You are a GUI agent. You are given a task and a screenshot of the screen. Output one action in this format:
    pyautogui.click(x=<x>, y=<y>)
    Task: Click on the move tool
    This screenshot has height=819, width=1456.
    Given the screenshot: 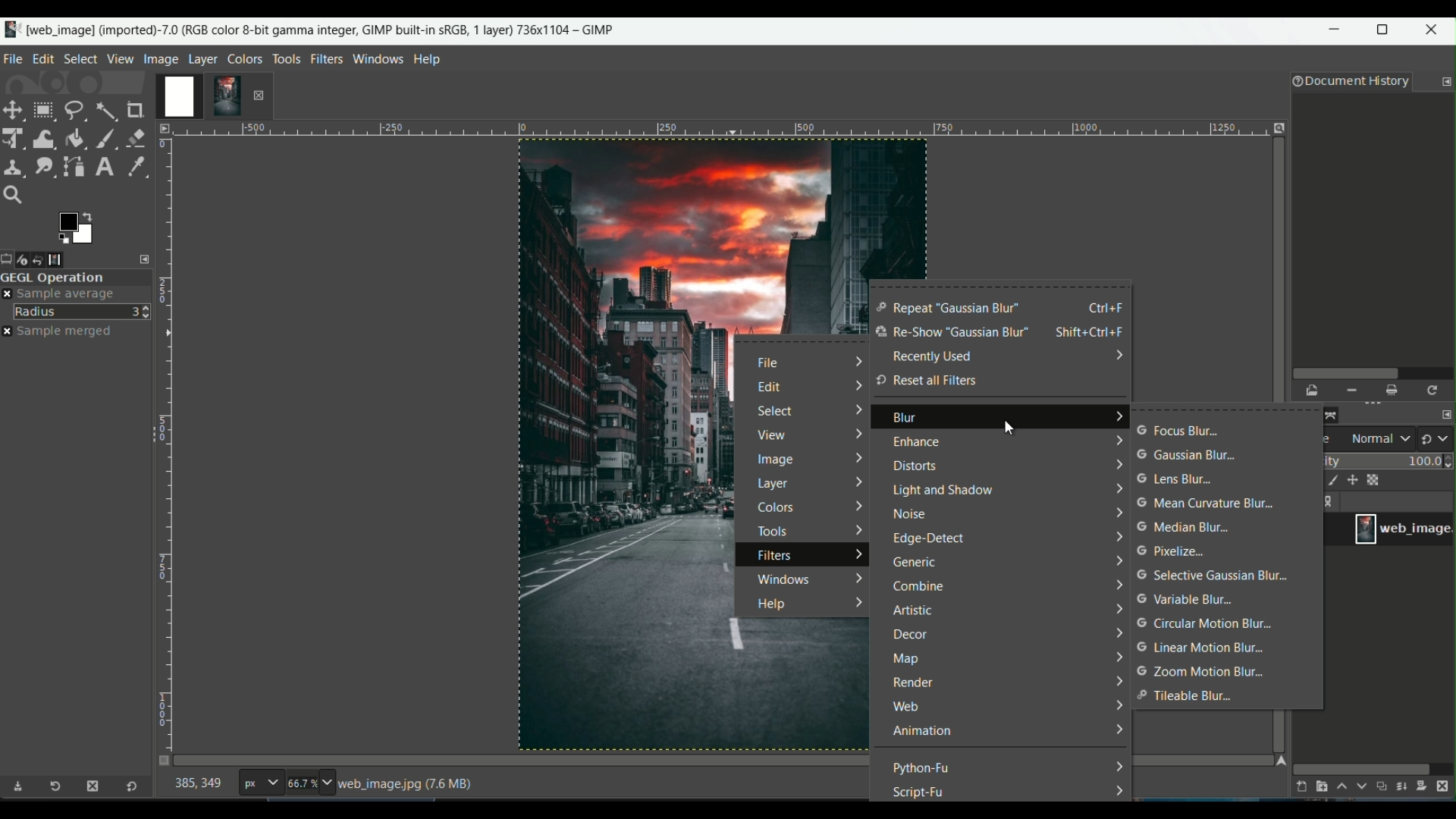 What is the action you would take?
    pyautogui.click(x=14, y=110)
    